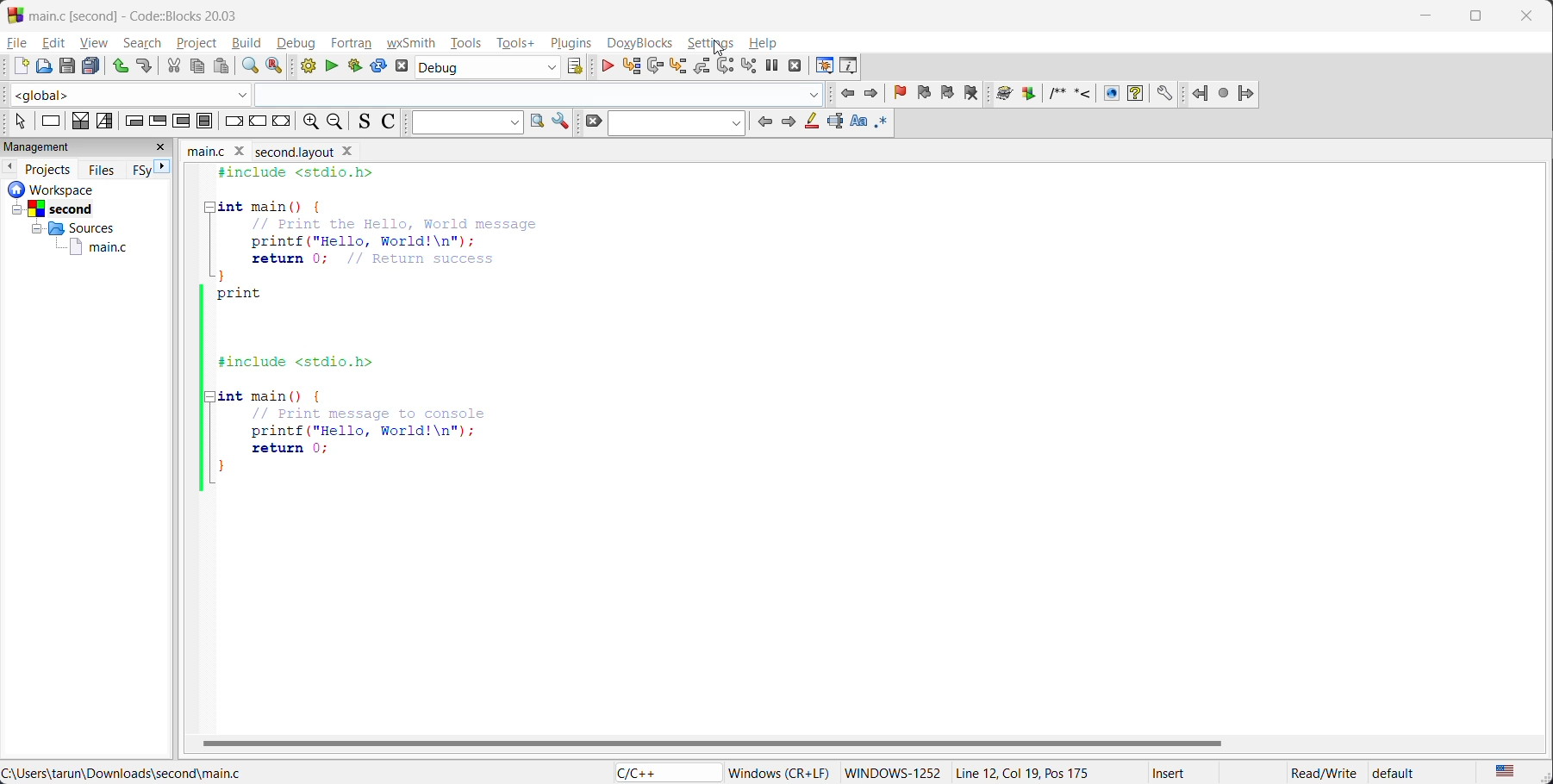 The width and height of the screenshot is (1553, 784). Describe the element at coordinates (869, 94) in the screenshot. I see `jump forward` at that location.